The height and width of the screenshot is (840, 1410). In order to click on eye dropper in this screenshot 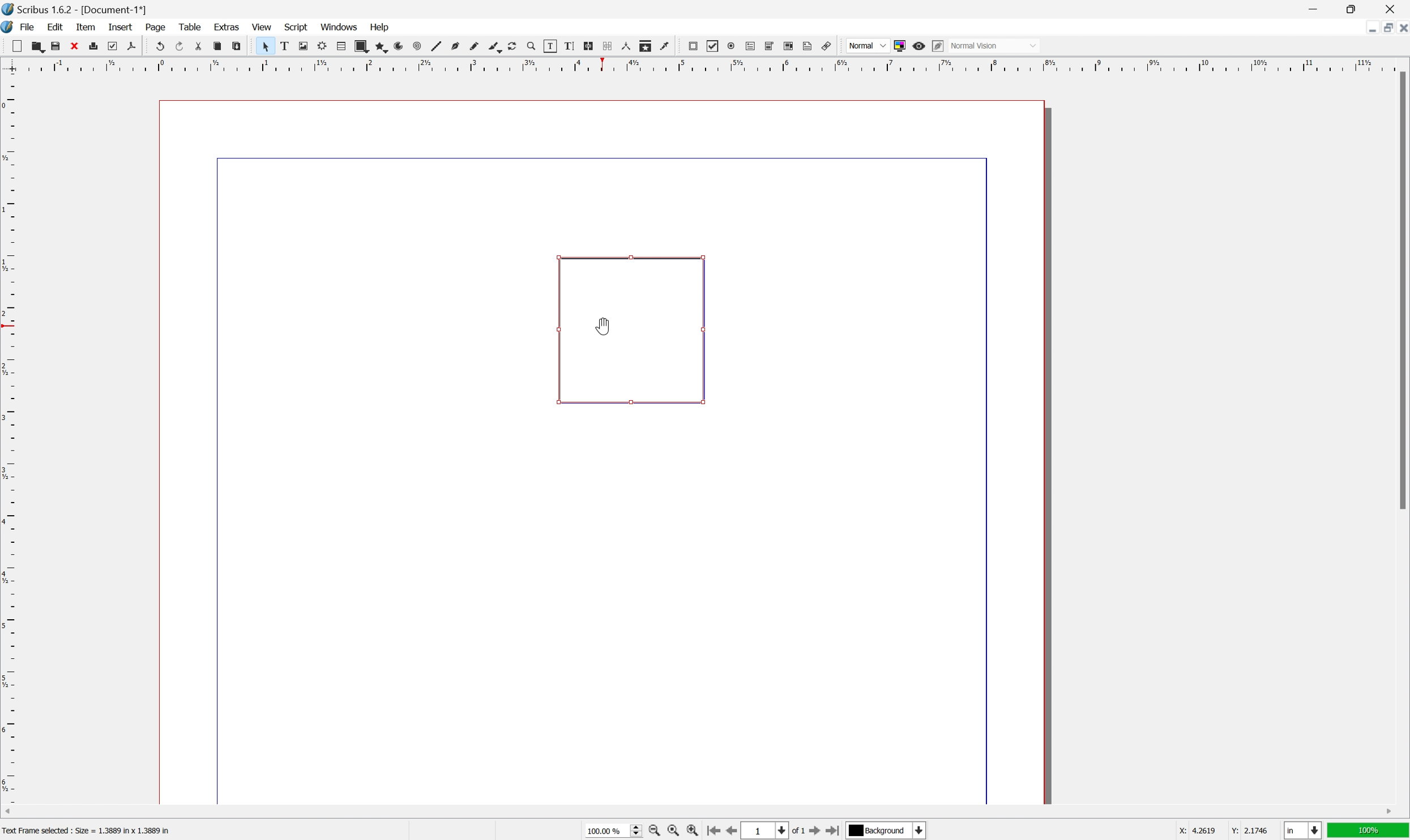, I will do `click(665, 46)`.